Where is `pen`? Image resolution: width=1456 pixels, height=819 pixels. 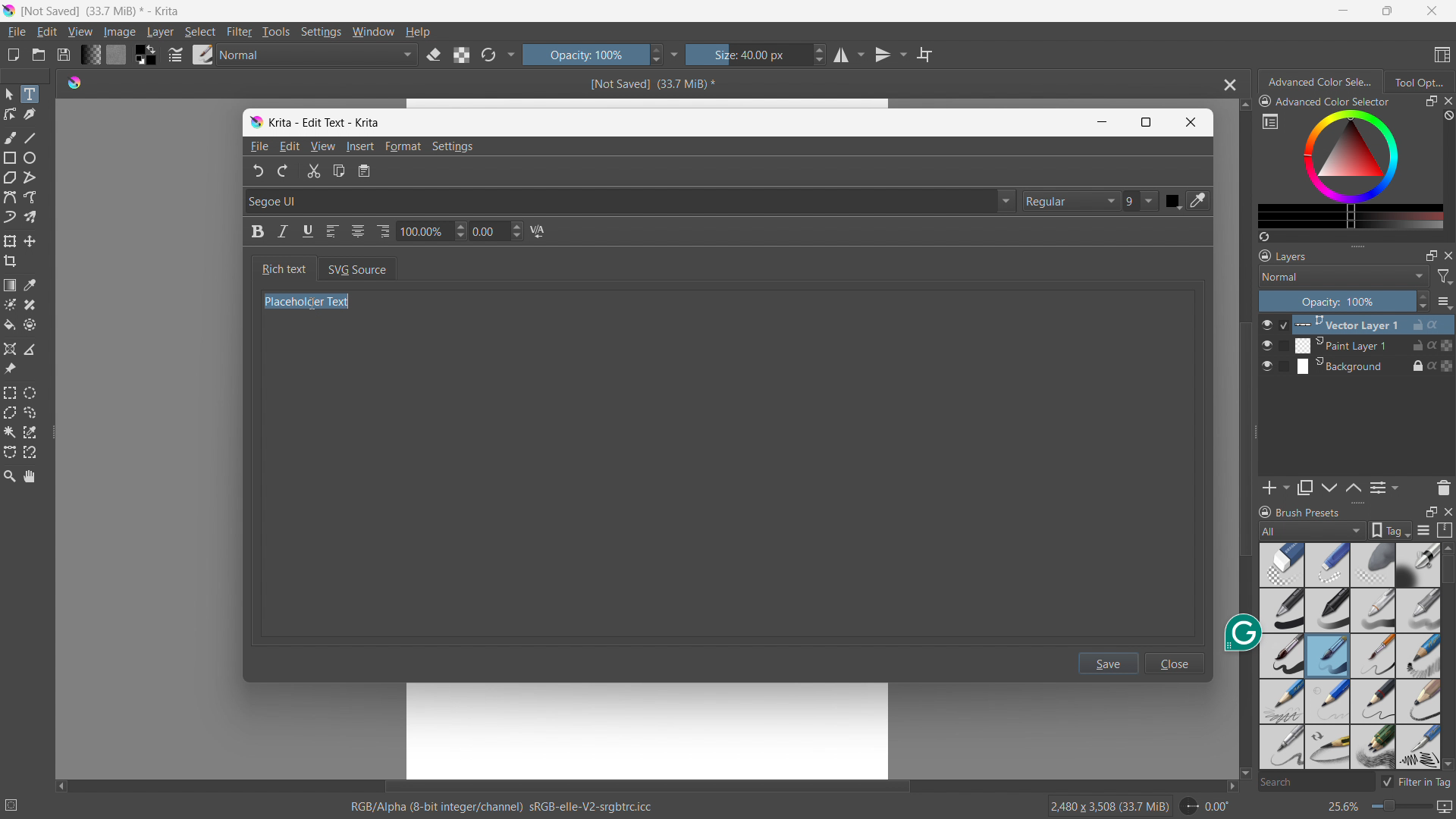 pen is located at coordinates (1328, 610).